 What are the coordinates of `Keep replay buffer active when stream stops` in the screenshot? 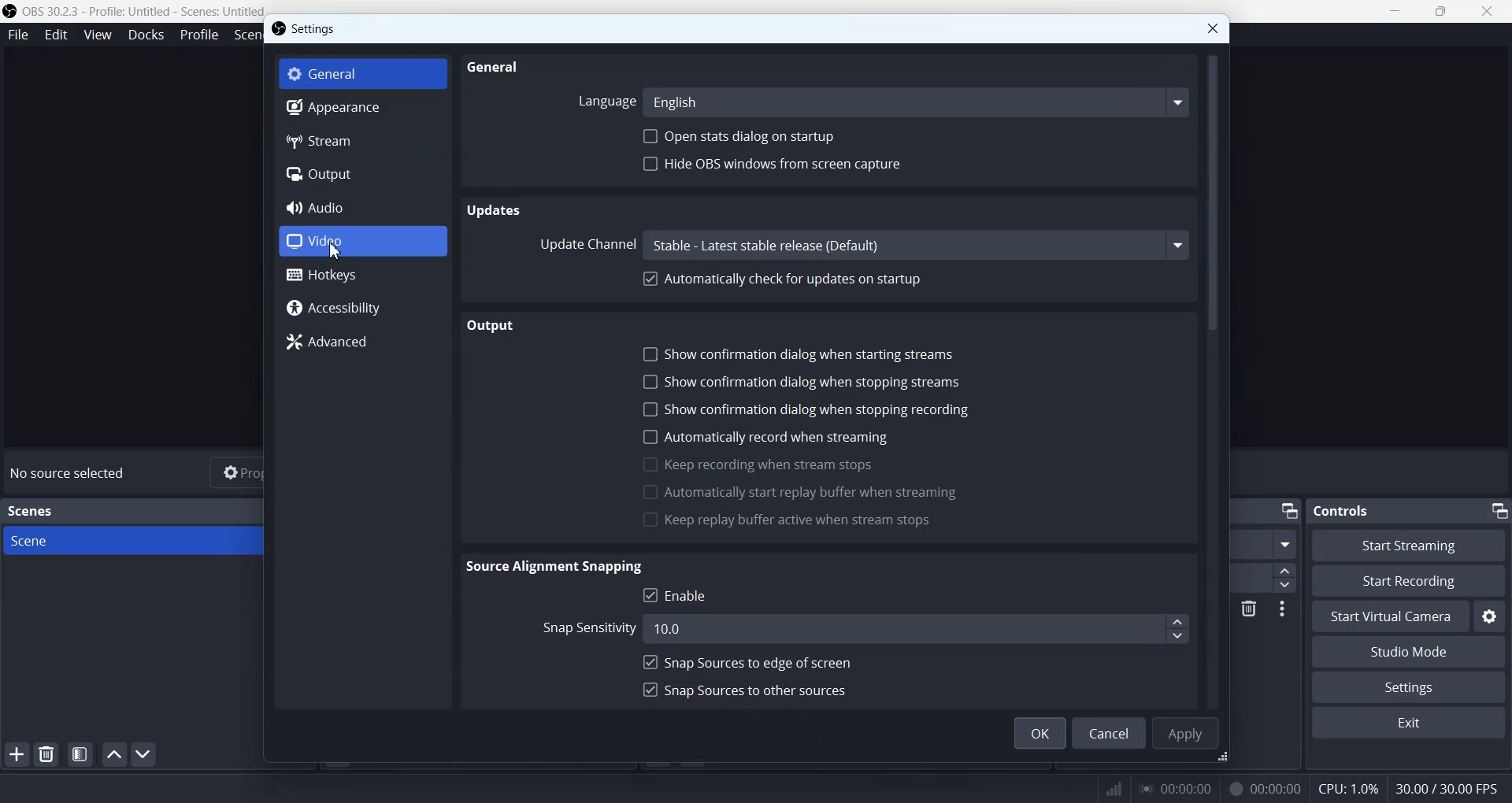 It's located at (787, 521).